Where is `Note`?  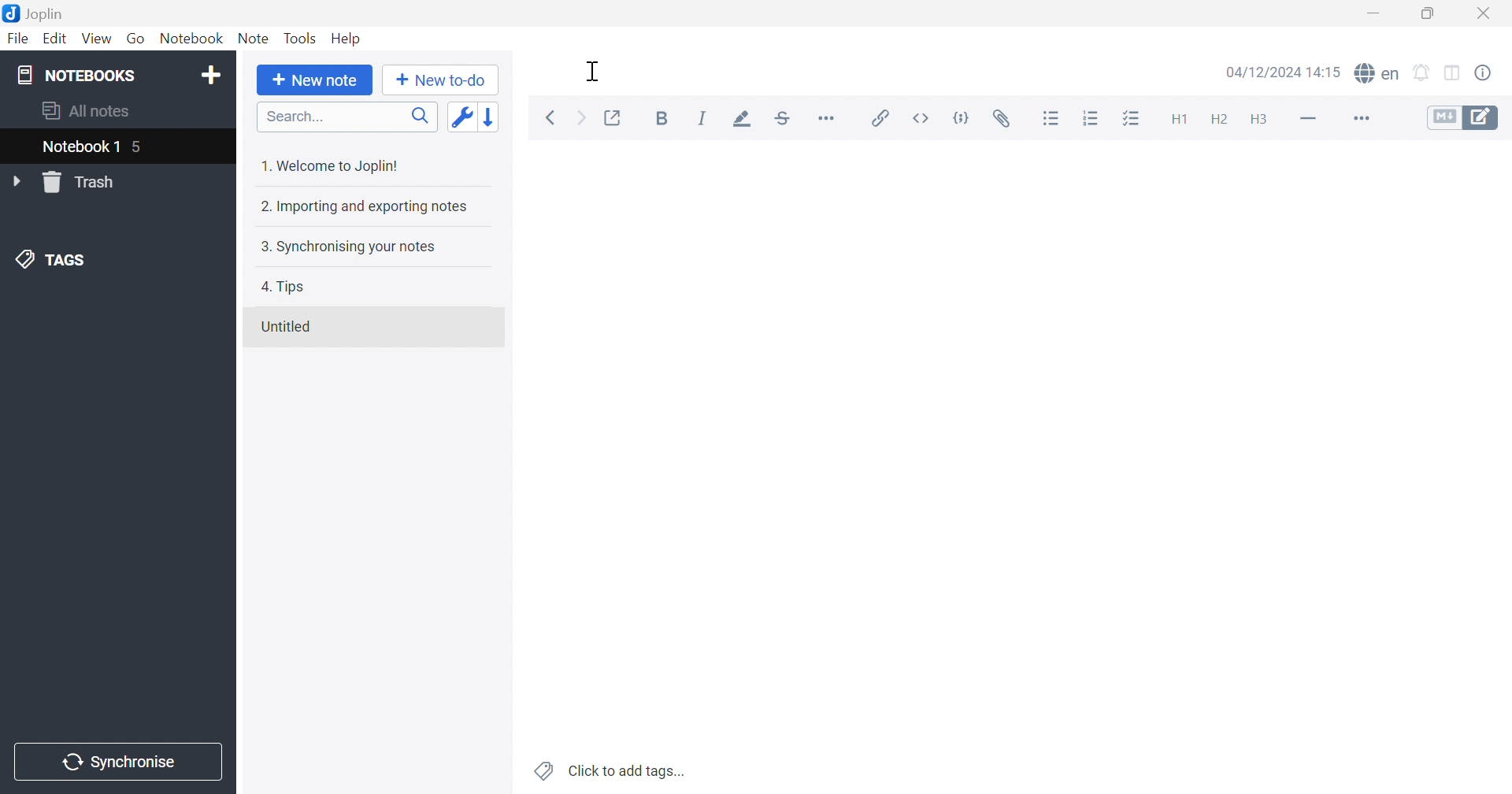
Note is located at coordinates (254, 39).